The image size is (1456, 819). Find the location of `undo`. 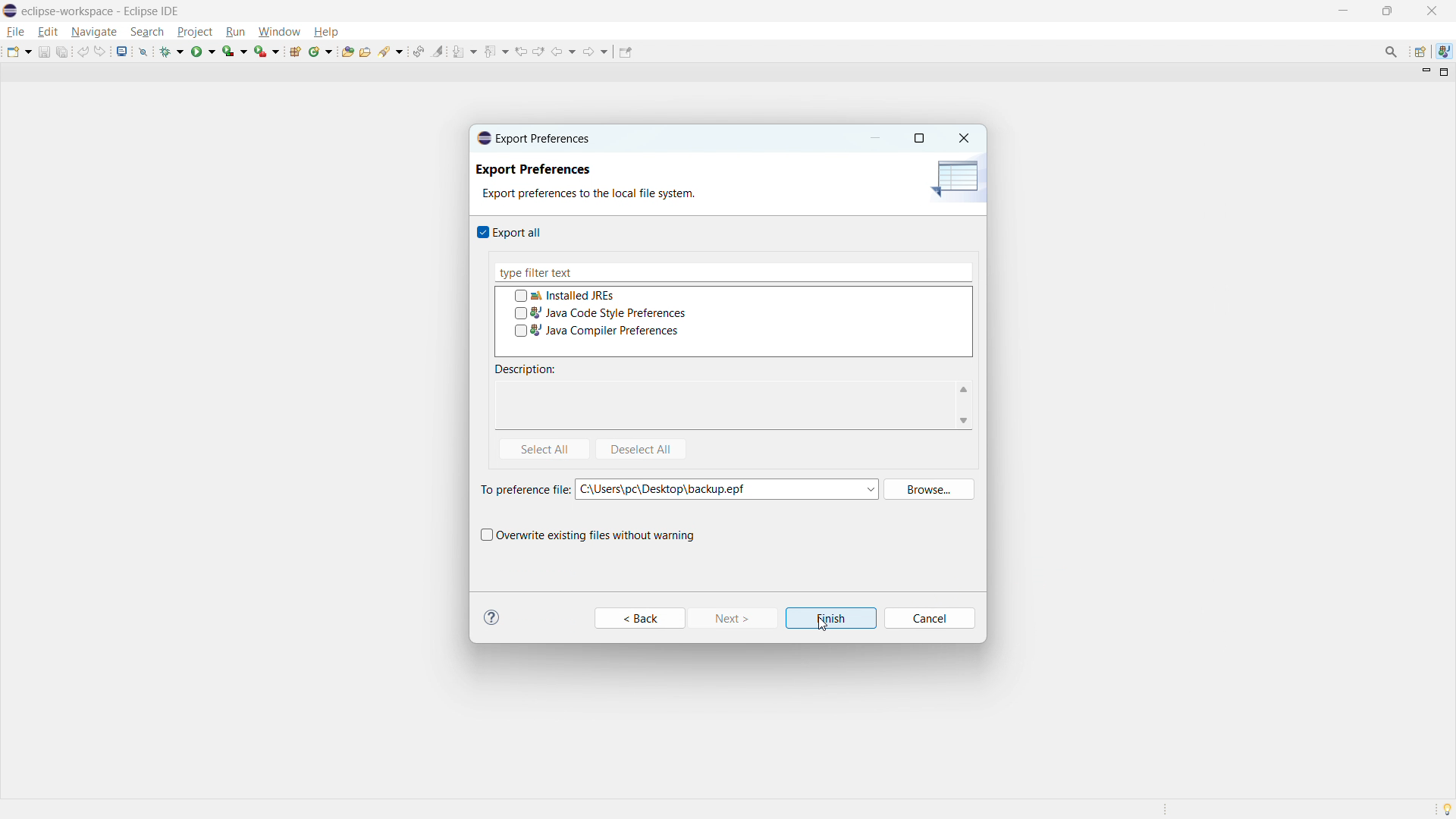

undo is located at coordinates (83, 52).